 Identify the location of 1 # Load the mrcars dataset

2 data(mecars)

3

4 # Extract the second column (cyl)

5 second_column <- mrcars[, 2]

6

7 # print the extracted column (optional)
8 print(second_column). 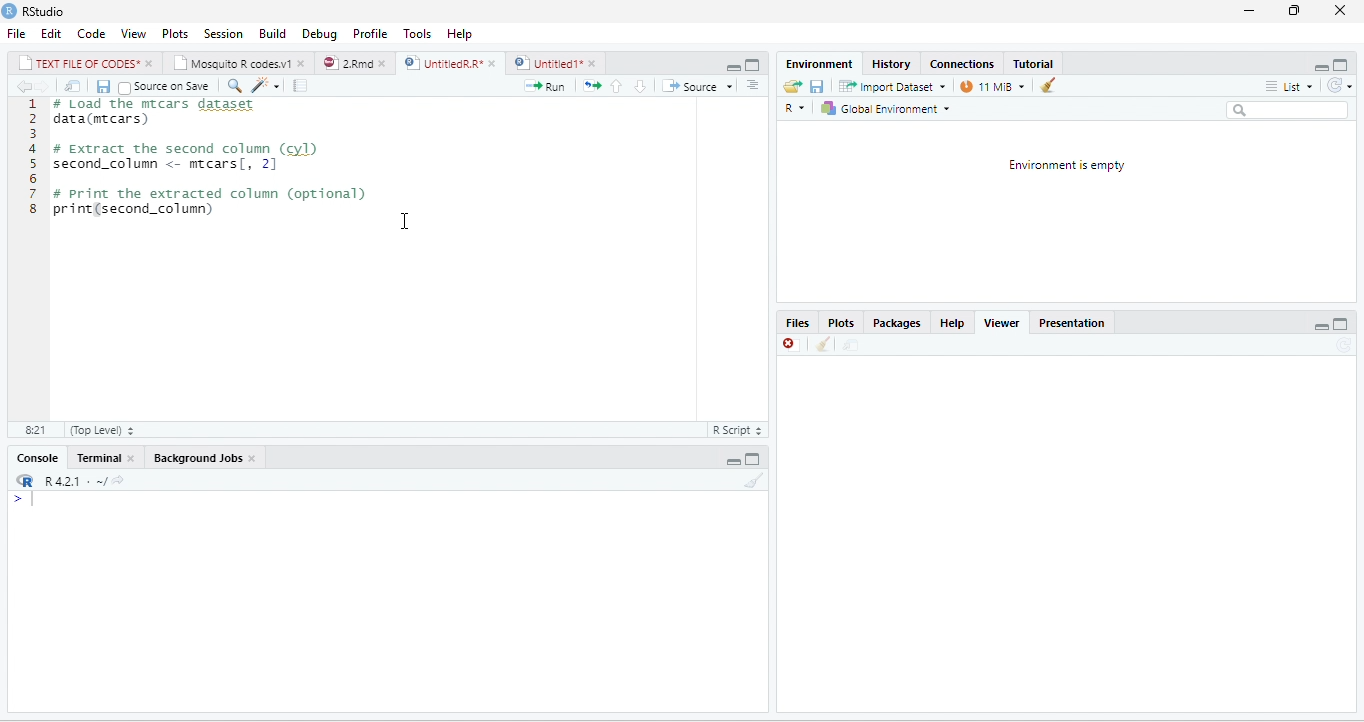
(207, 160).